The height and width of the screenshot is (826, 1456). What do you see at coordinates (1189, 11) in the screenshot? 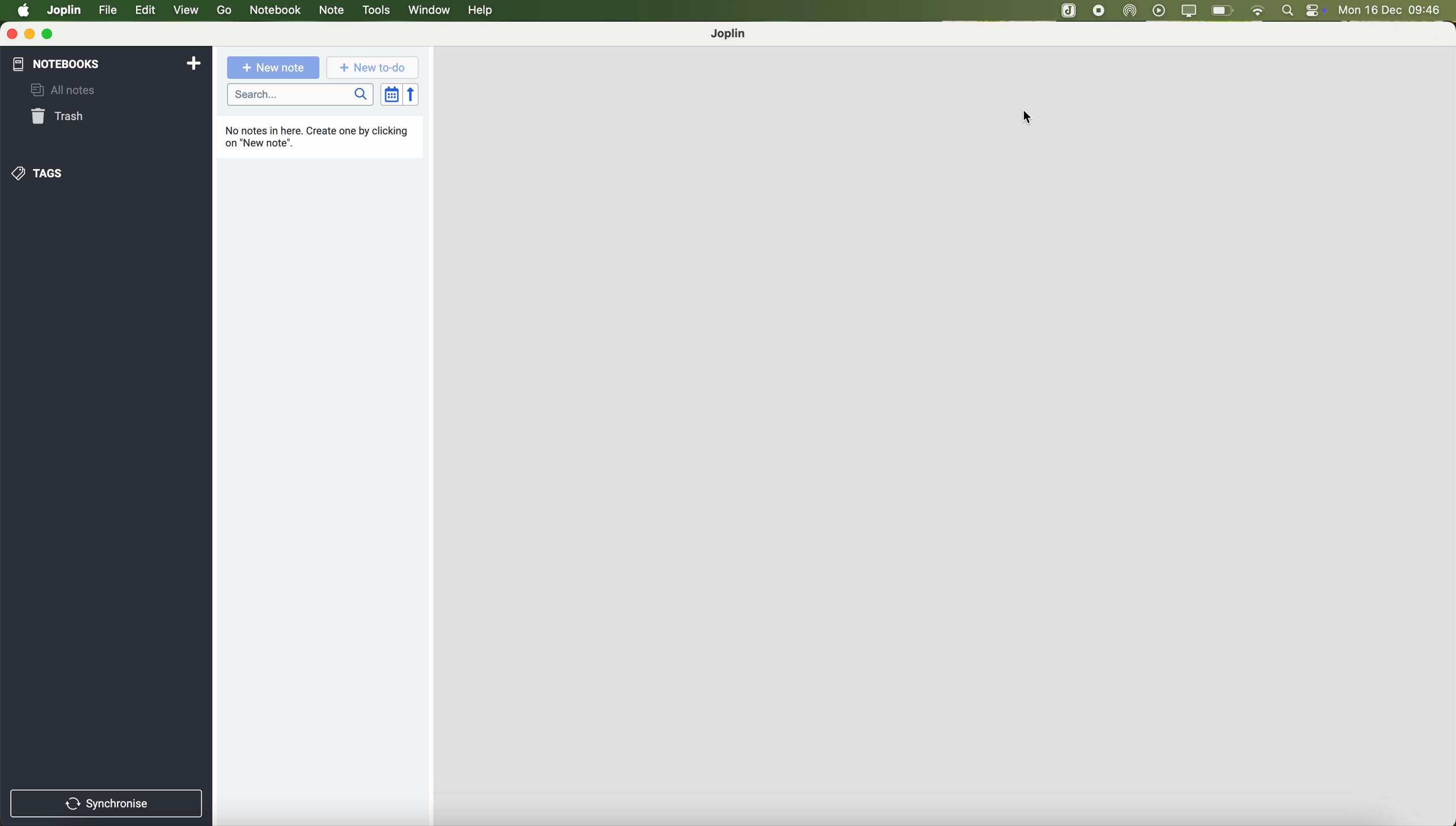
I see `screen` at bounding box center [1189, 11].